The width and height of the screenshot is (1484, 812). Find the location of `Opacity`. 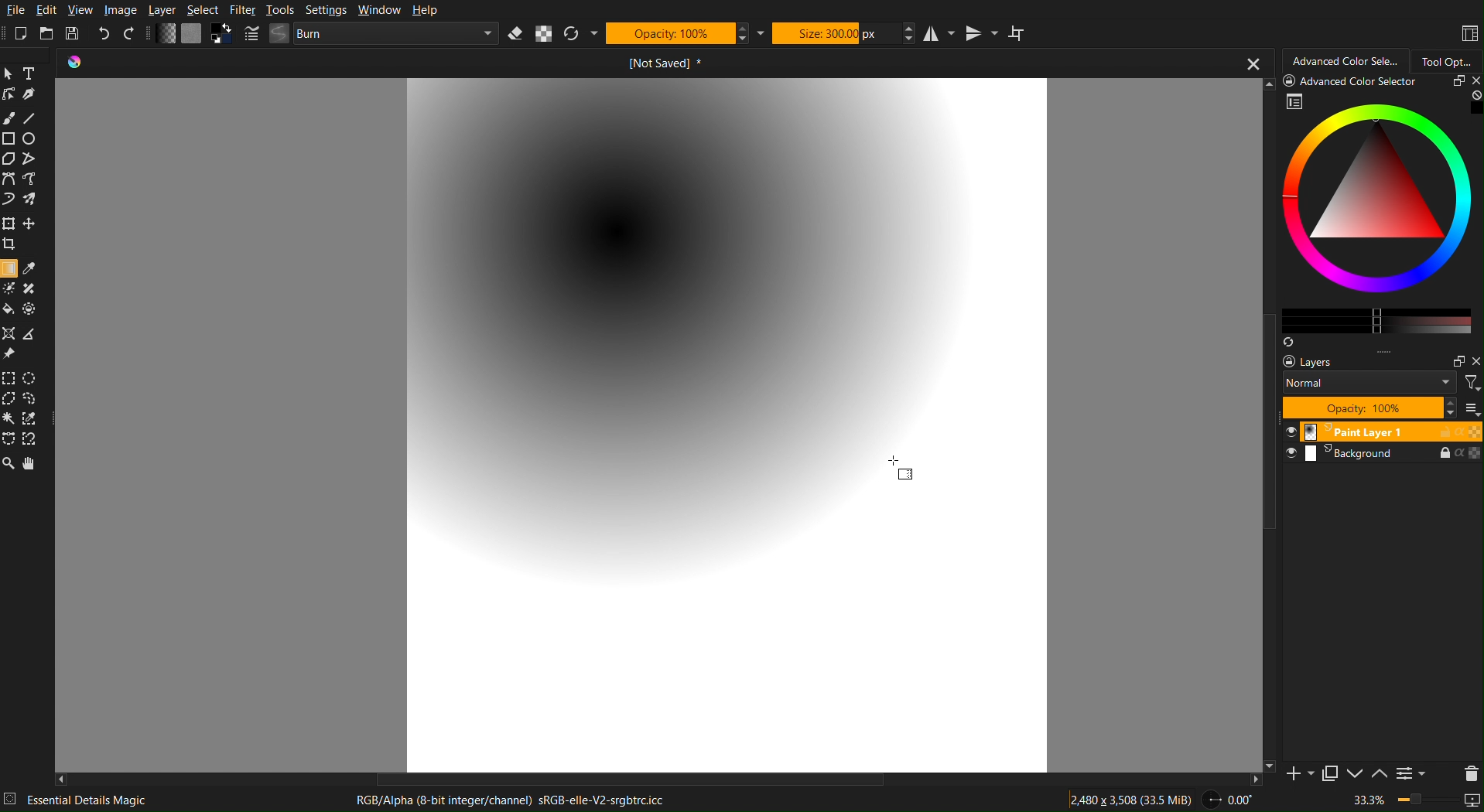

Opacity is located at coordinates (676, 32).